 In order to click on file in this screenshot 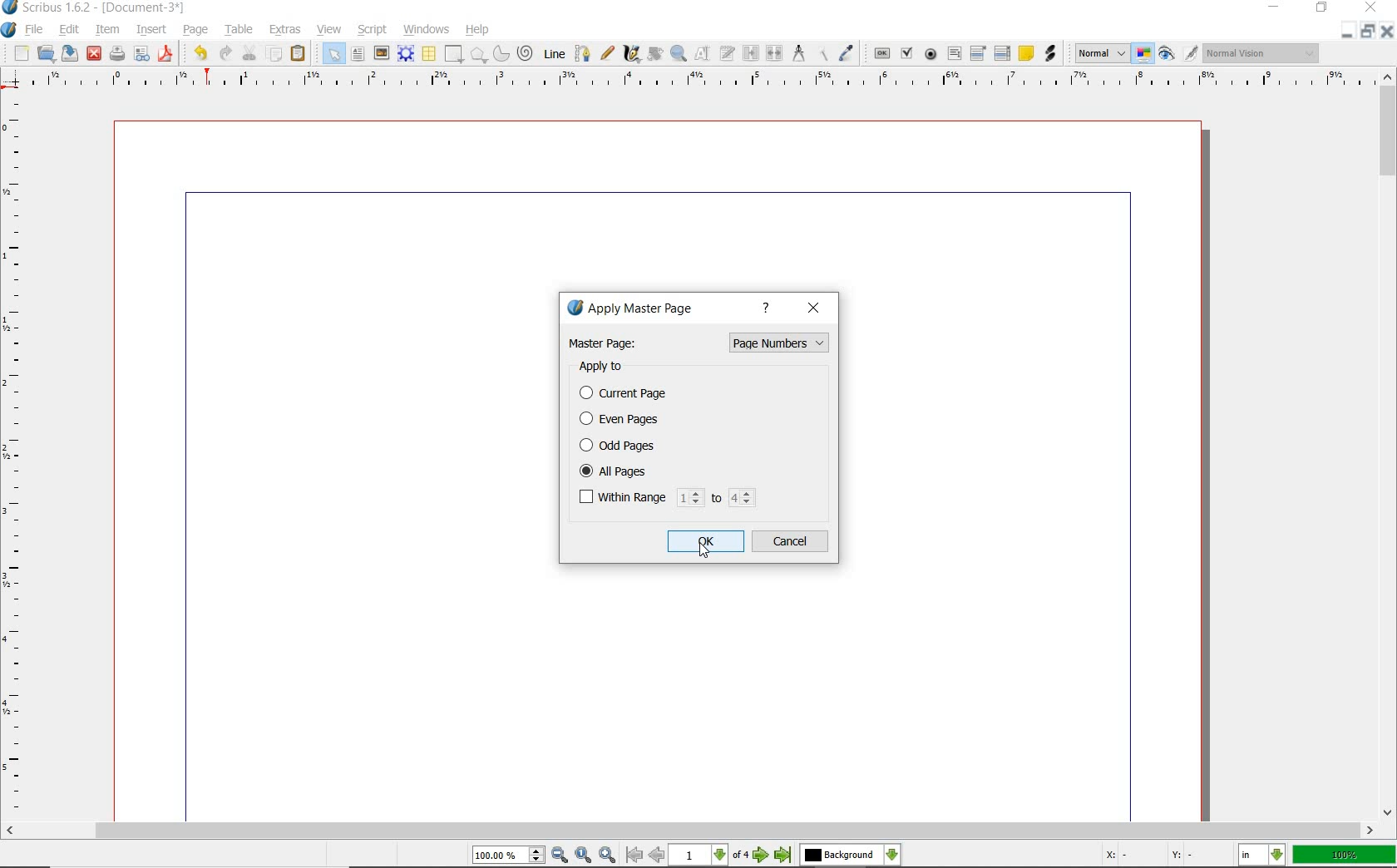, I will do `click(36, 29)`.